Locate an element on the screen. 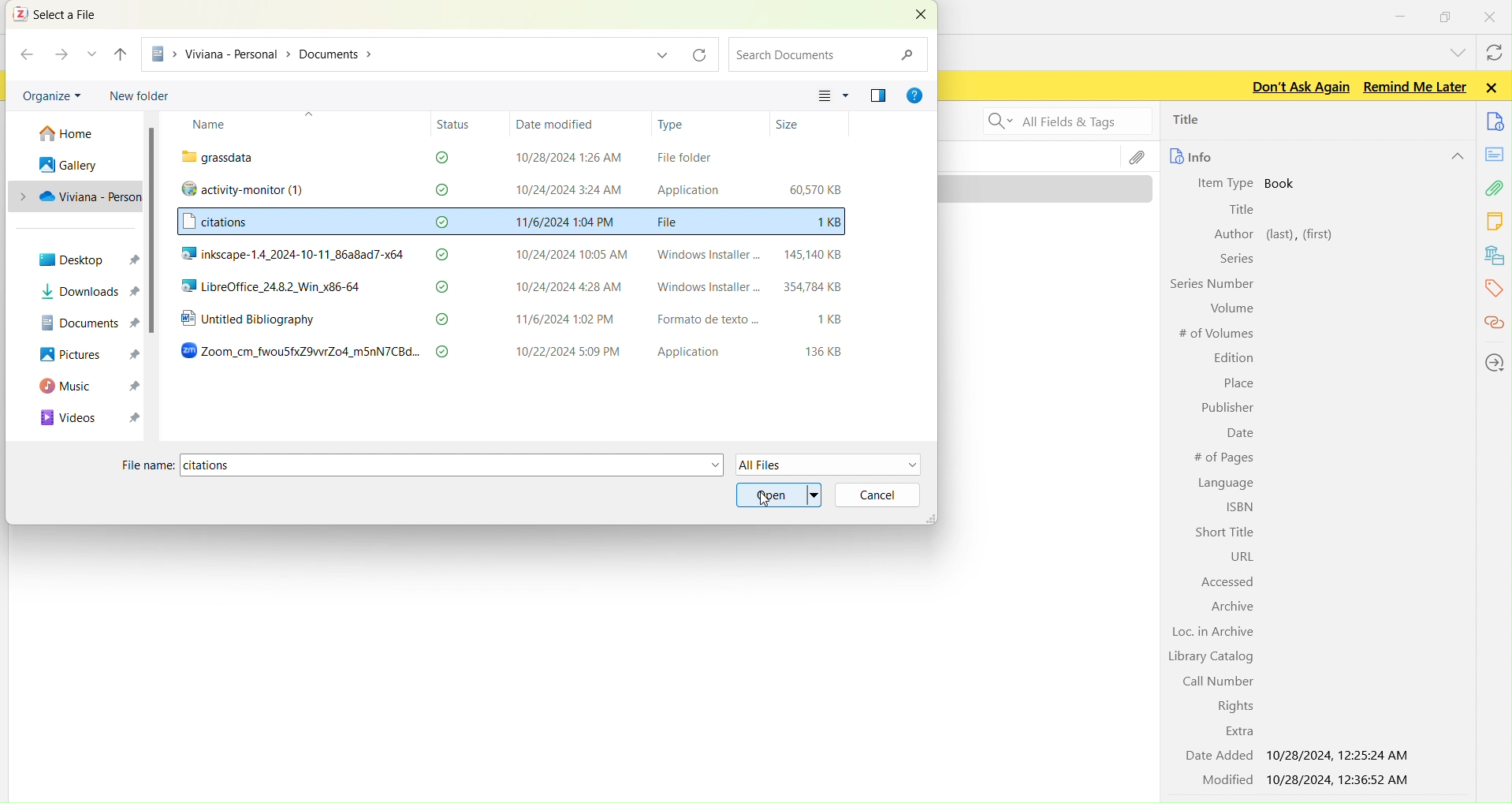 The width and height of the screenshot is (1512, 803). file is located at coordinates (1136, 158).